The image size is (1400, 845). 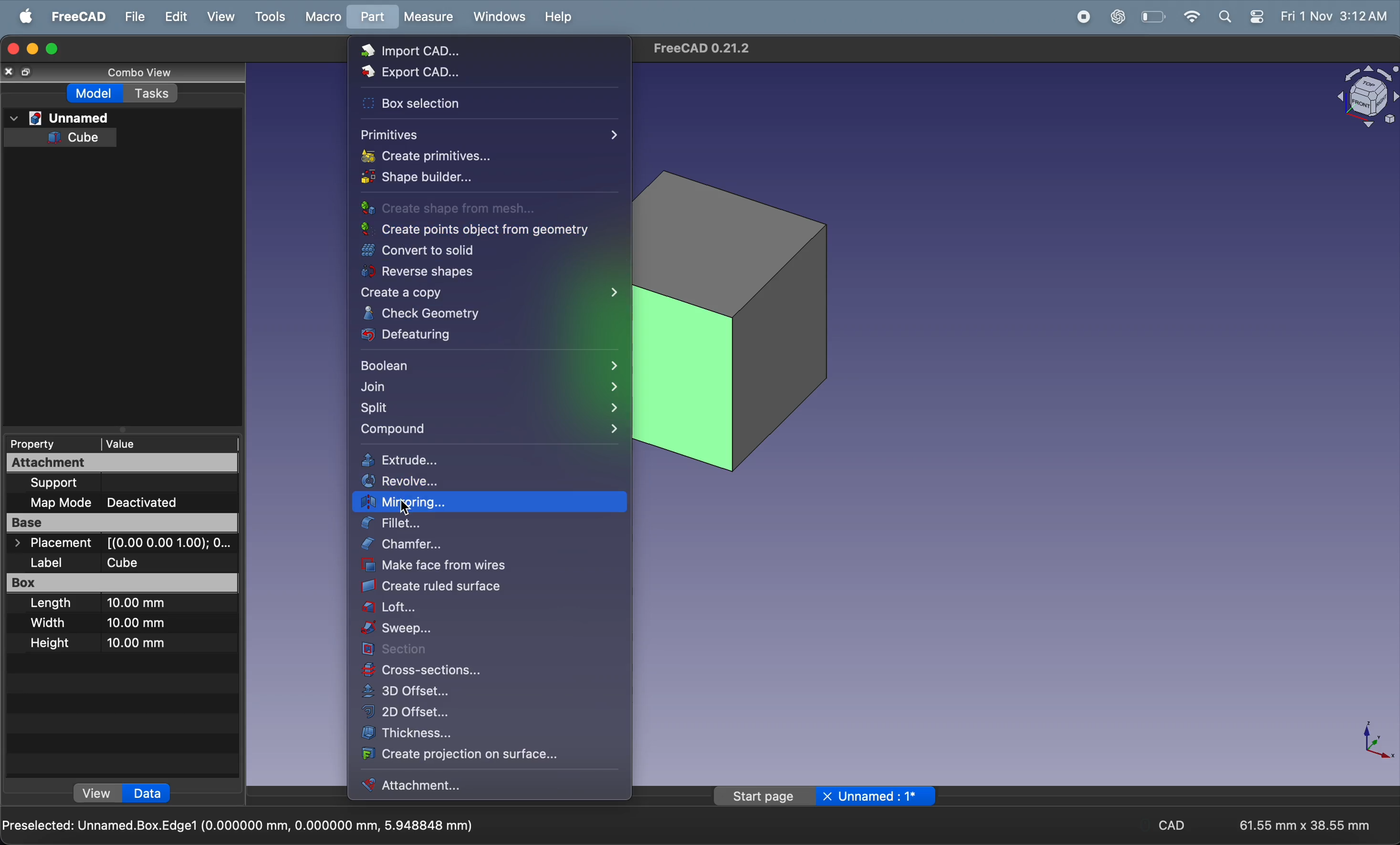 I want to click on Length     10.00 mm, so click(x=103, y=604).